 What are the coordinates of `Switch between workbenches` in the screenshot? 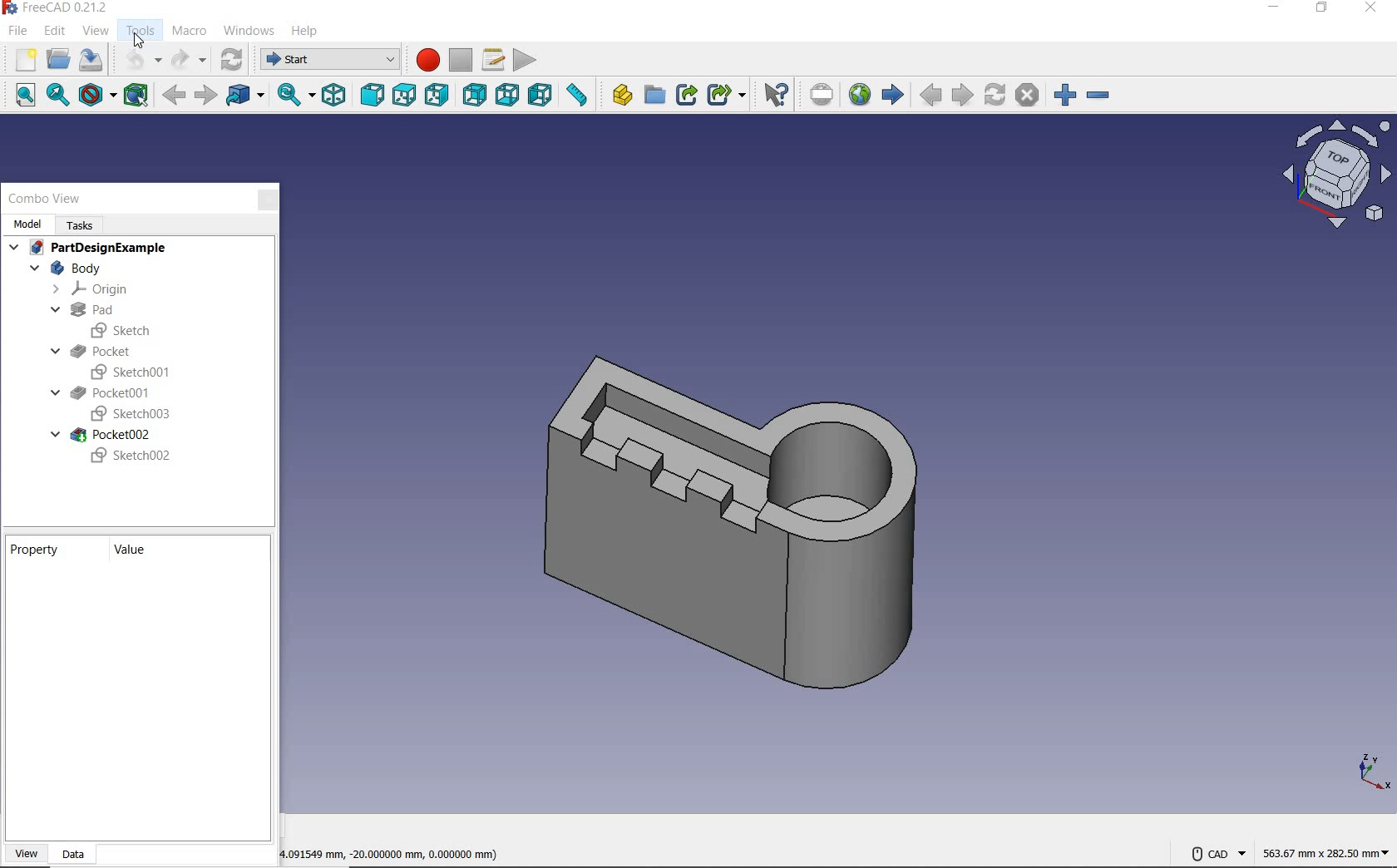 It's located at (327, 60).